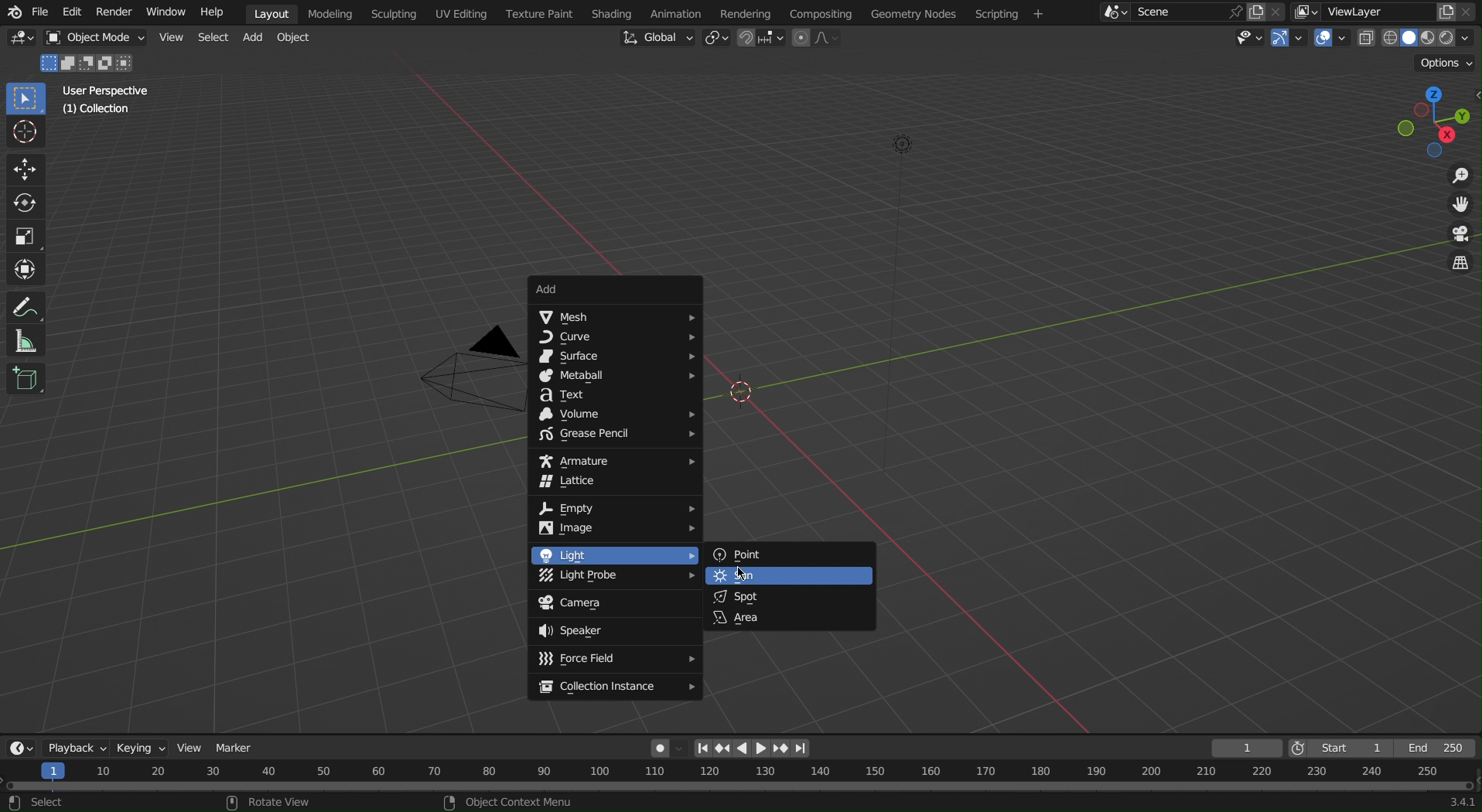 This screenshot has height=812, width=1482. I want to click on Light, so click(614, 554).